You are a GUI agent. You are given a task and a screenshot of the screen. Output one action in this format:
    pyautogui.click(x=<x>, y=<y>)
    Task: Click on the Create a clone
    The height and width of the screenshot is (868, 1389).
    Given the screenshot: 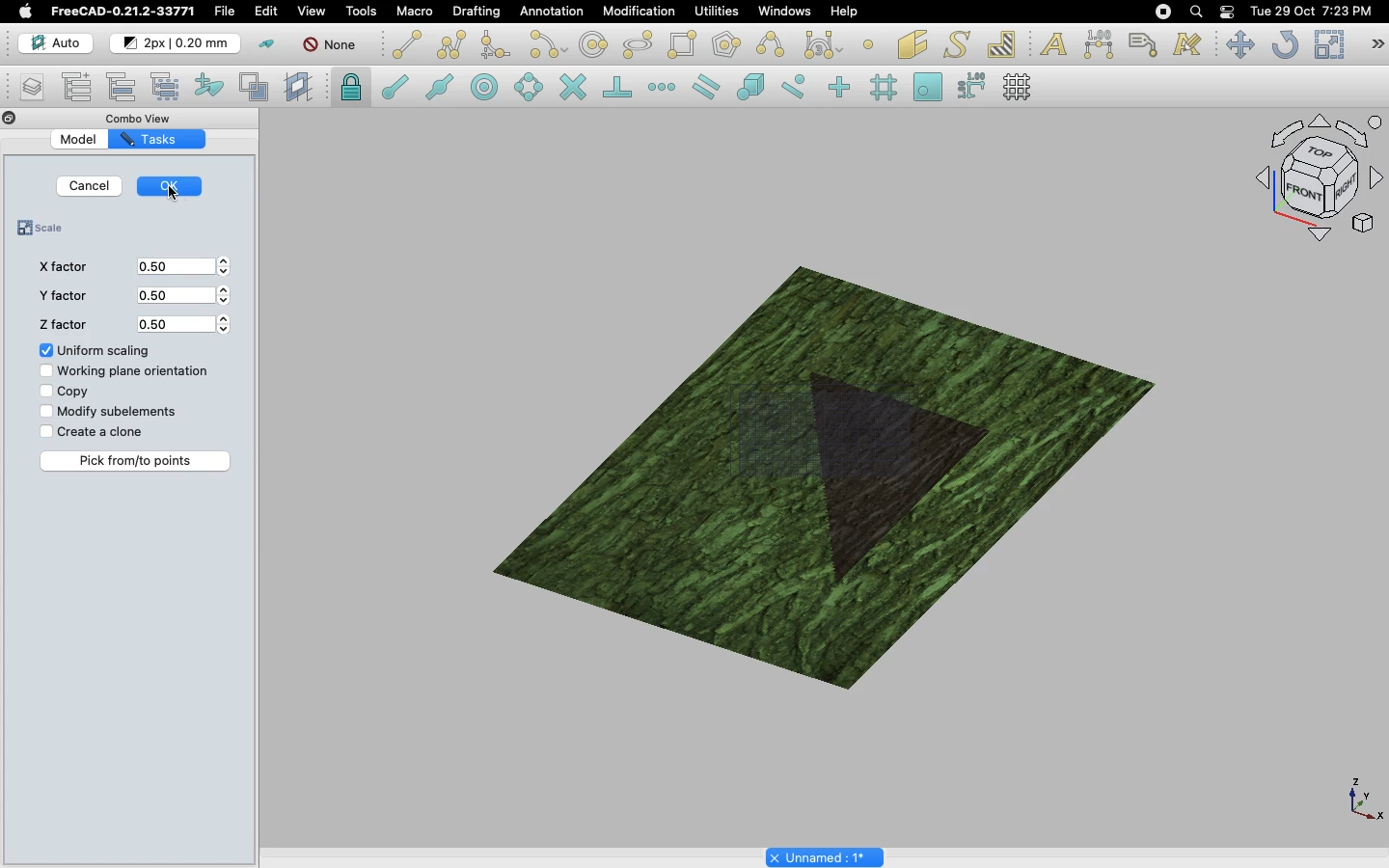 What is the action you would take?
    pyautogui.click(x=92, y=431)
    